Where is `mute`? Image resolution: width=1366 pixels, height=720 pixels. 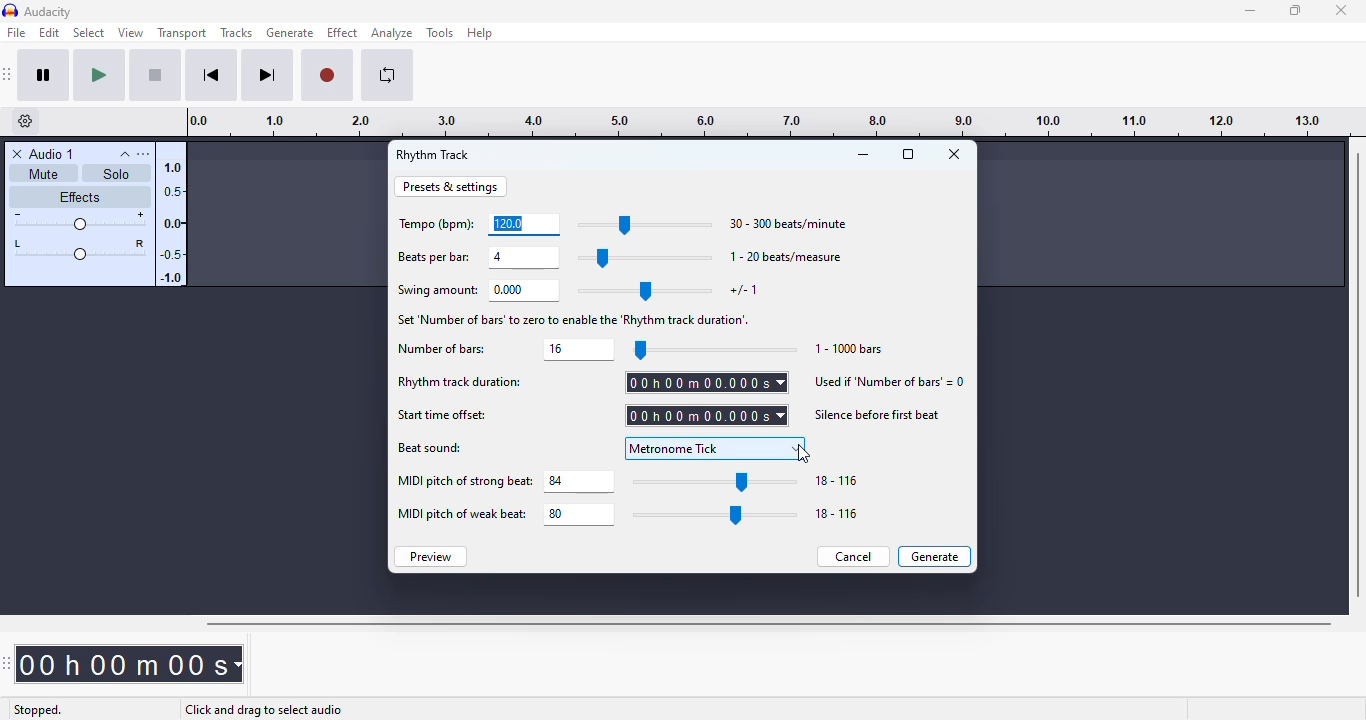 mute is located at coordinates (44, 173).